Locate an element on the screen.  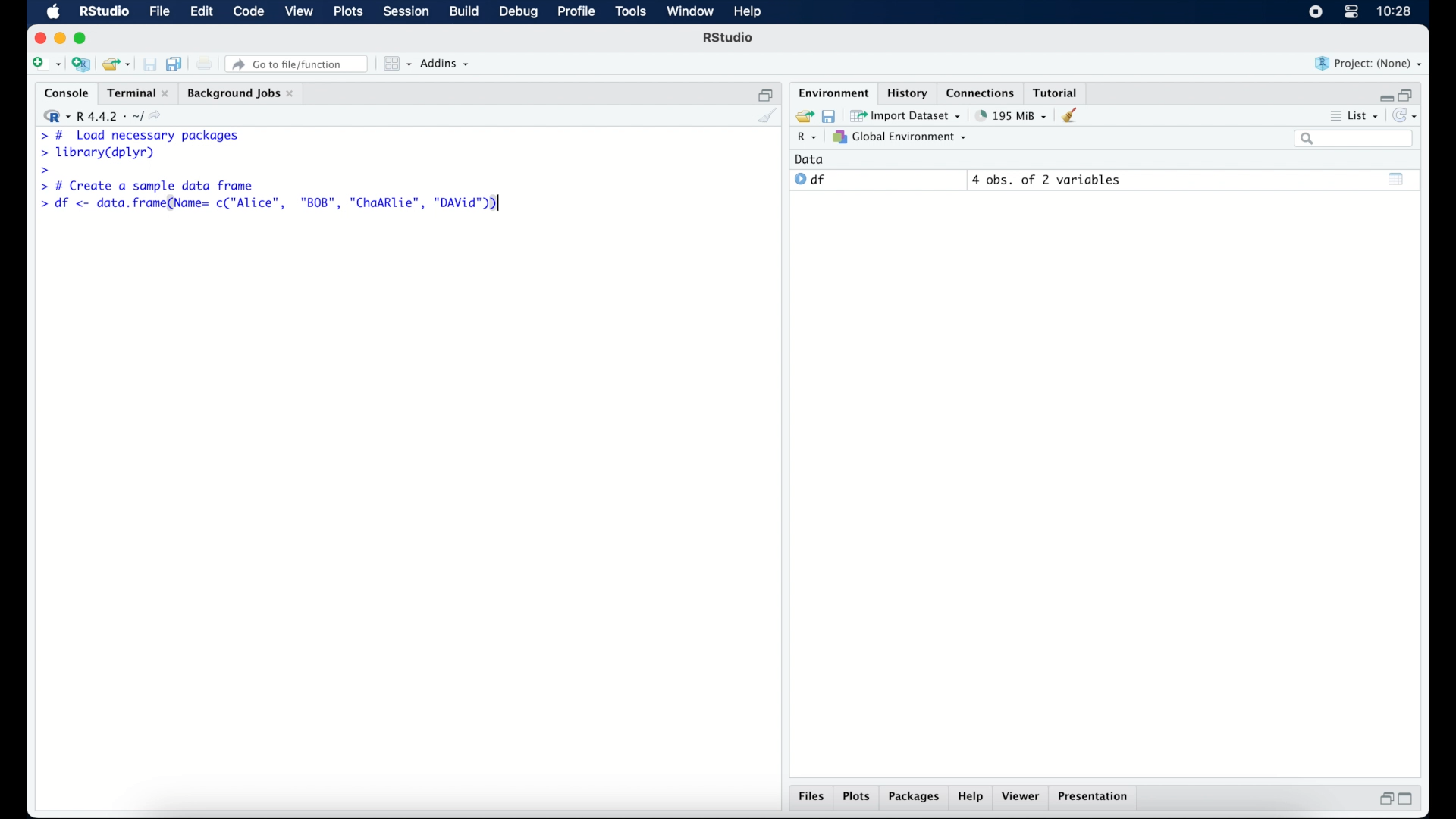
global environment is located at coordinates (900, 137).